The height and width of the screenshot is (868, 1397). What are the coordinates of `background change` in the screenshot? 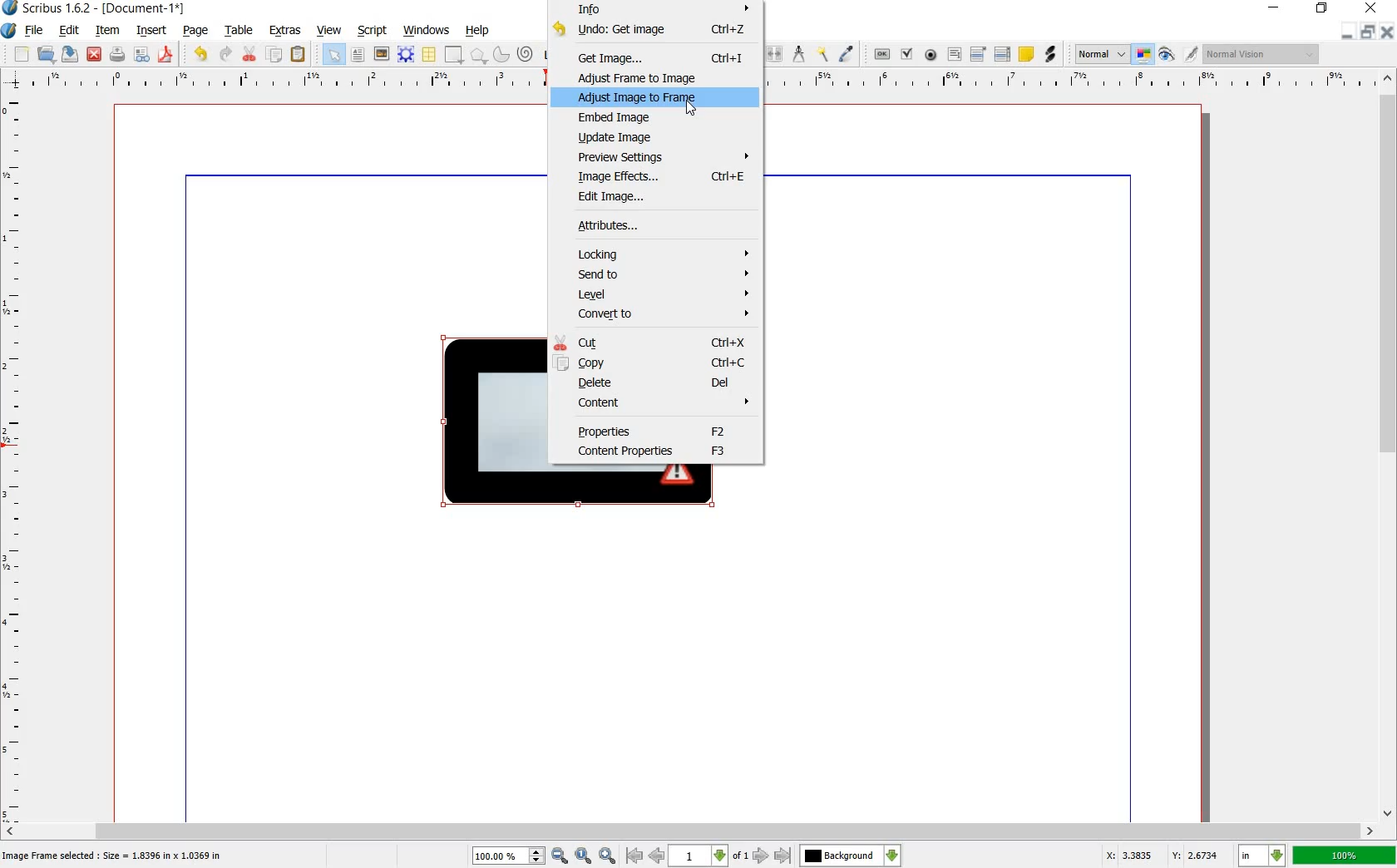 It's located at (850, 856).